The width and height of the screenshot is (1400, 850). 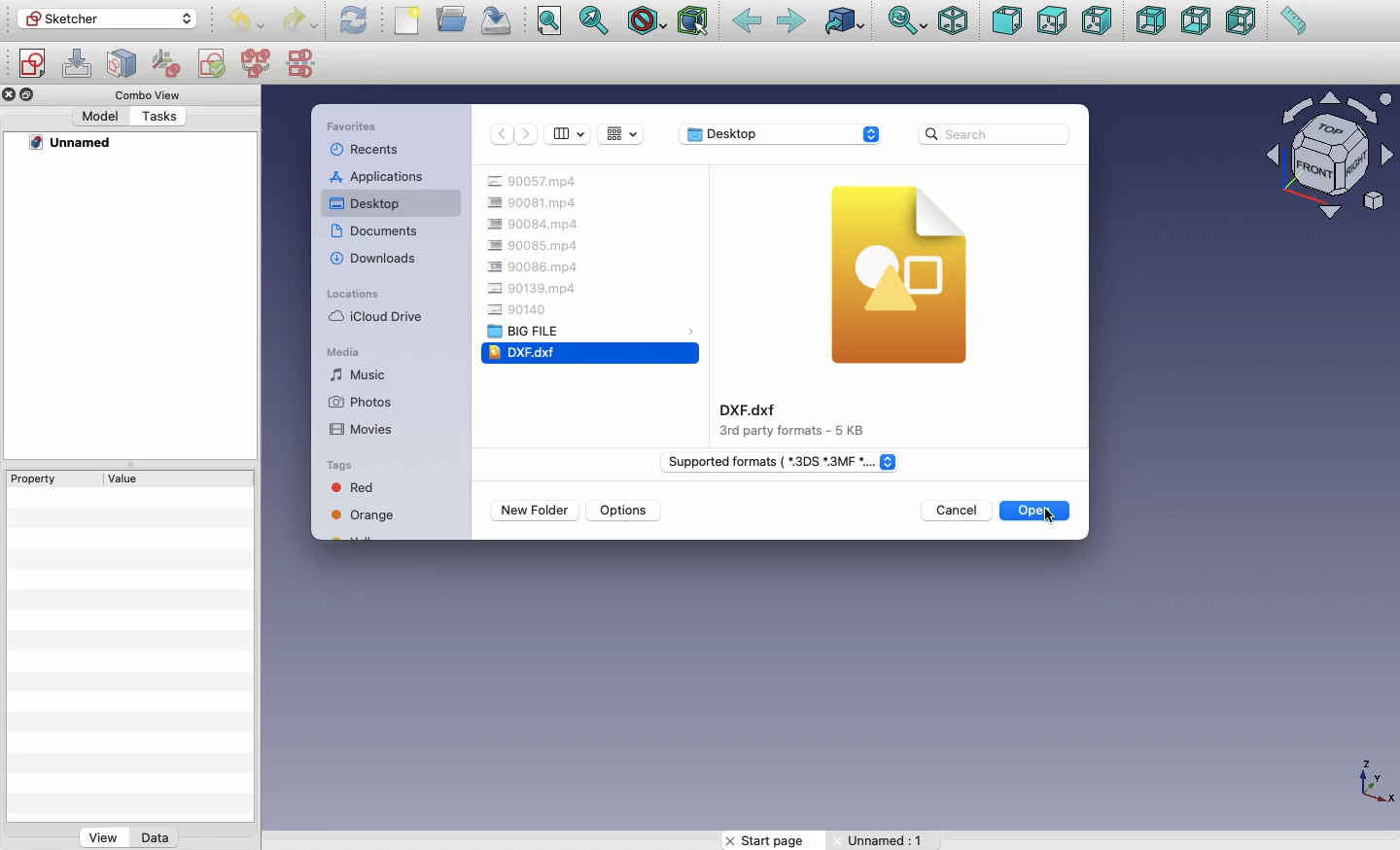 What do you see at coordinates (376, 177) in the screenshot?
I see `Applications` at bounding box center [376, 177].